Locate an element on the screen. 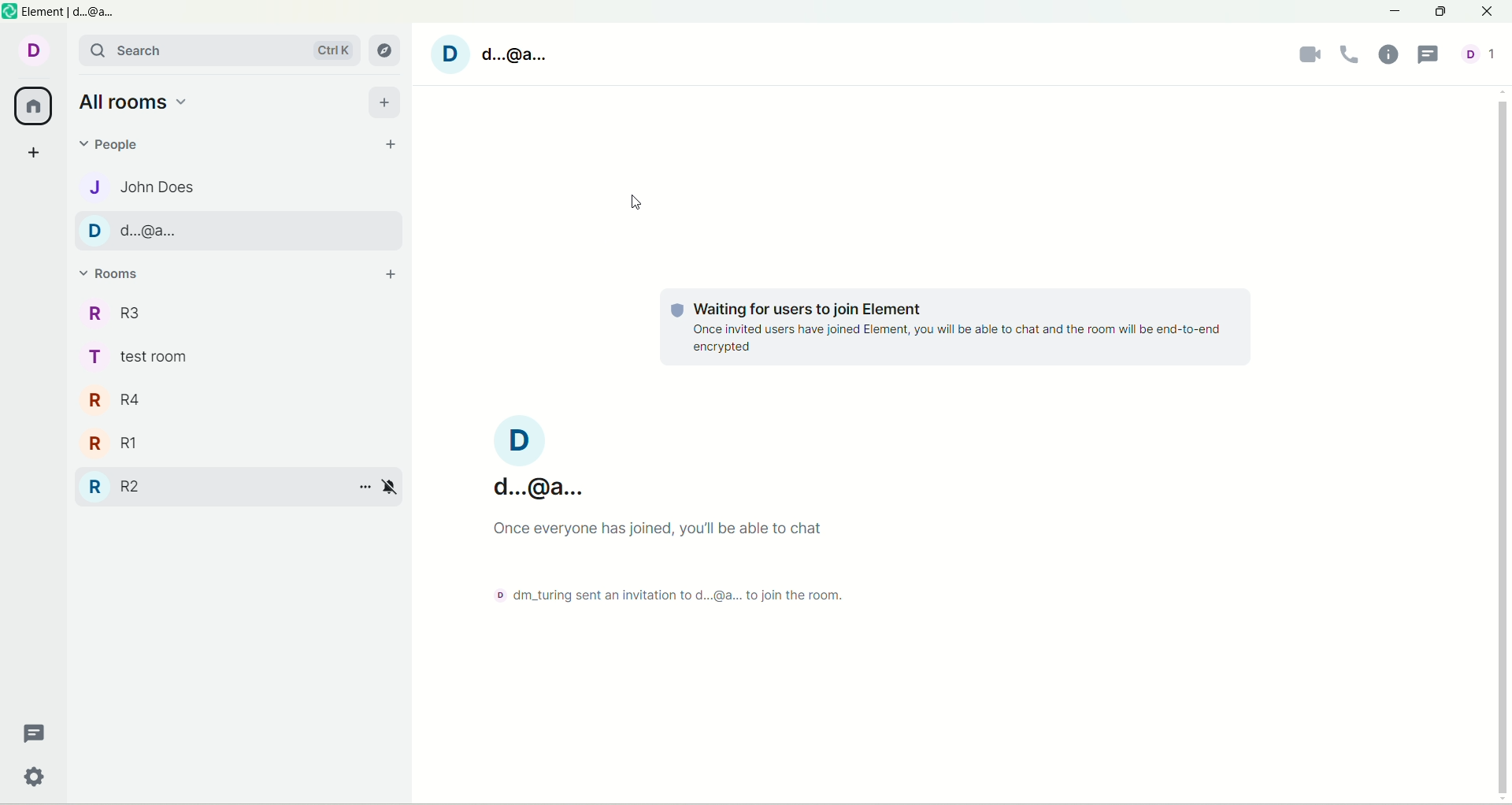  threads is located at coordinates (31, 730).